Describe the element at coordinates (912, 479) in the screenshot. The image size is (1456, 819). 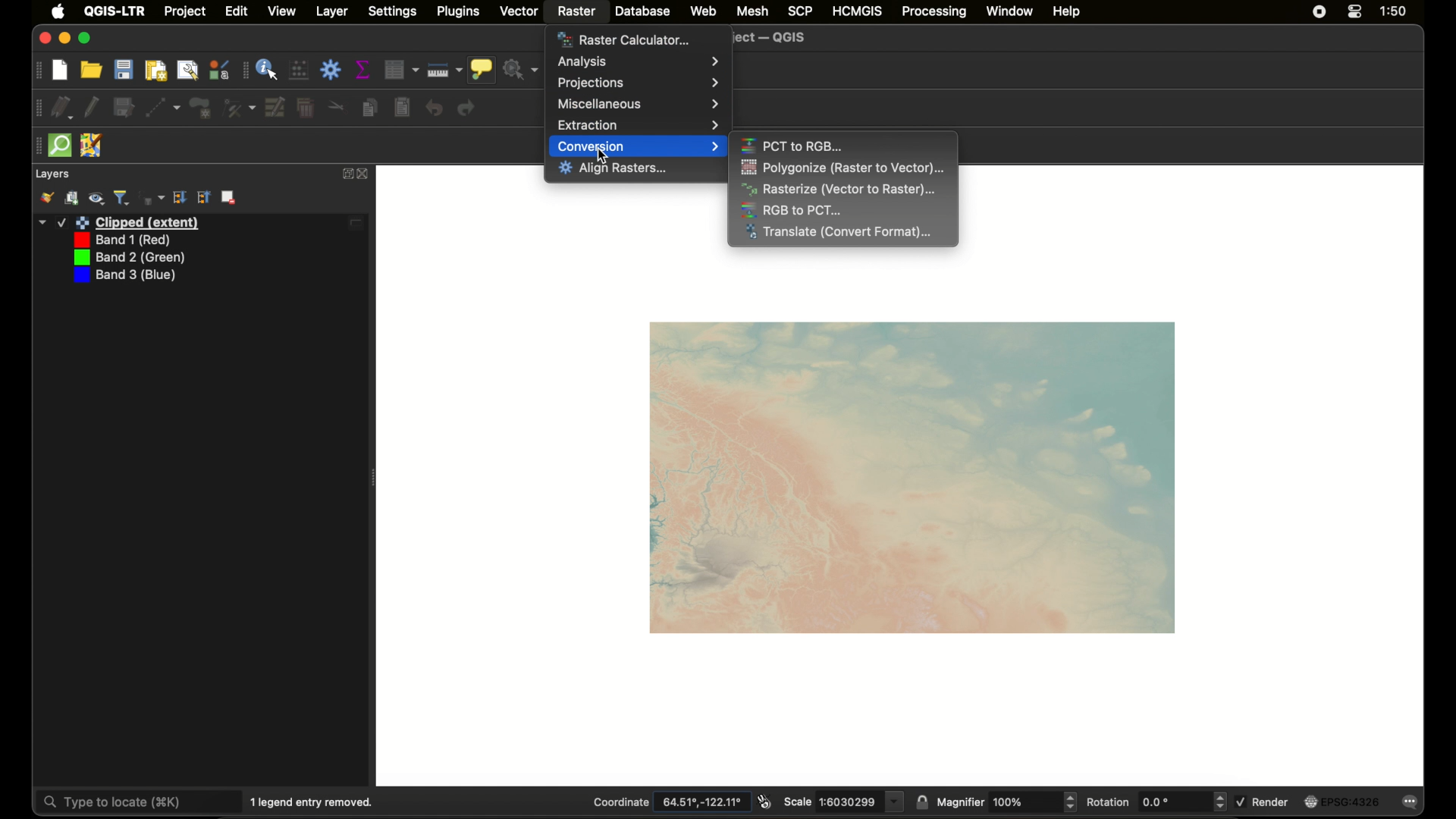
I see `raster map` at that location.